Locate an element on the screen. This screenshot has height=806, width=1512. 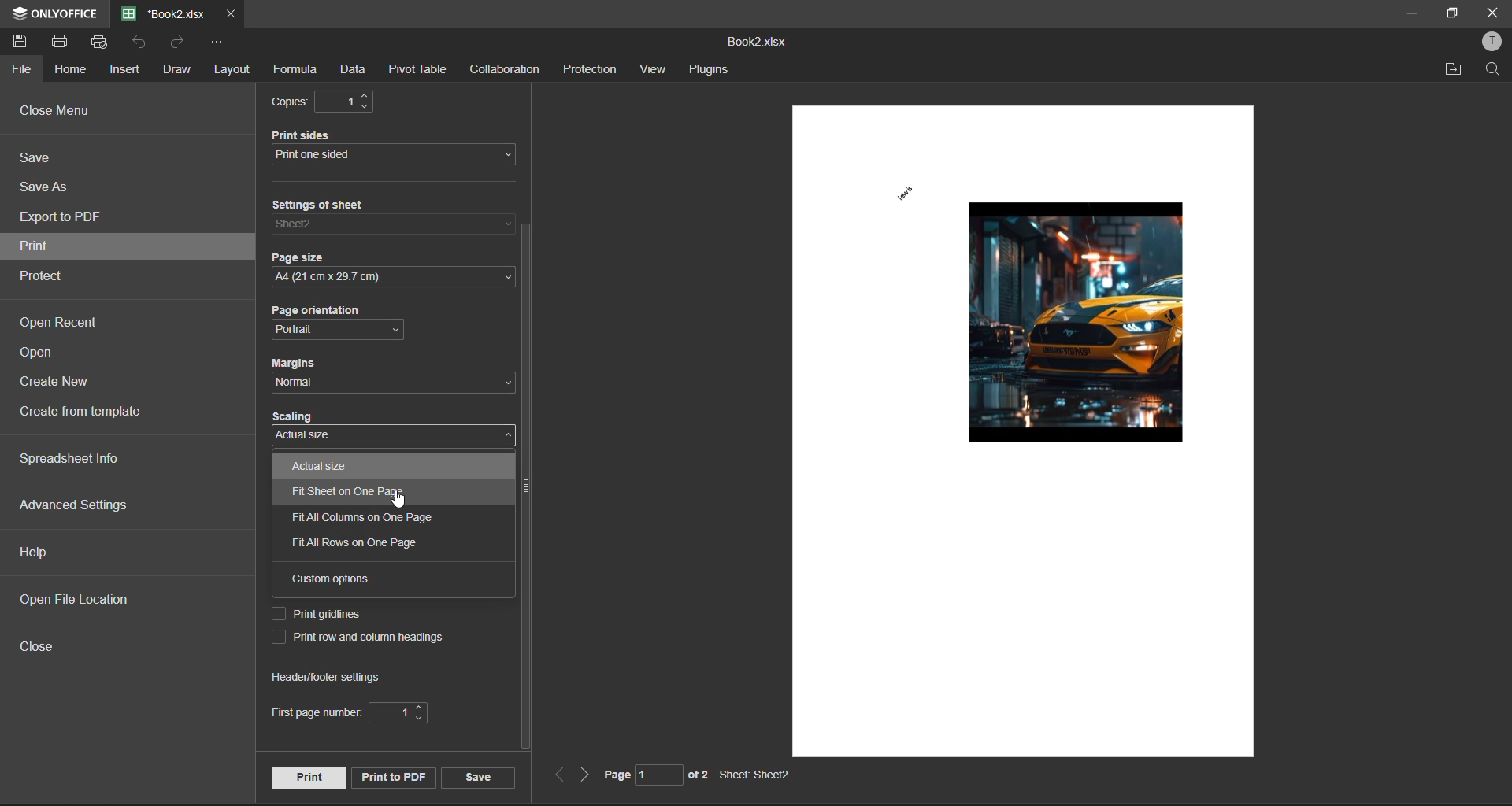
file name is located at coordinates (164, 13).